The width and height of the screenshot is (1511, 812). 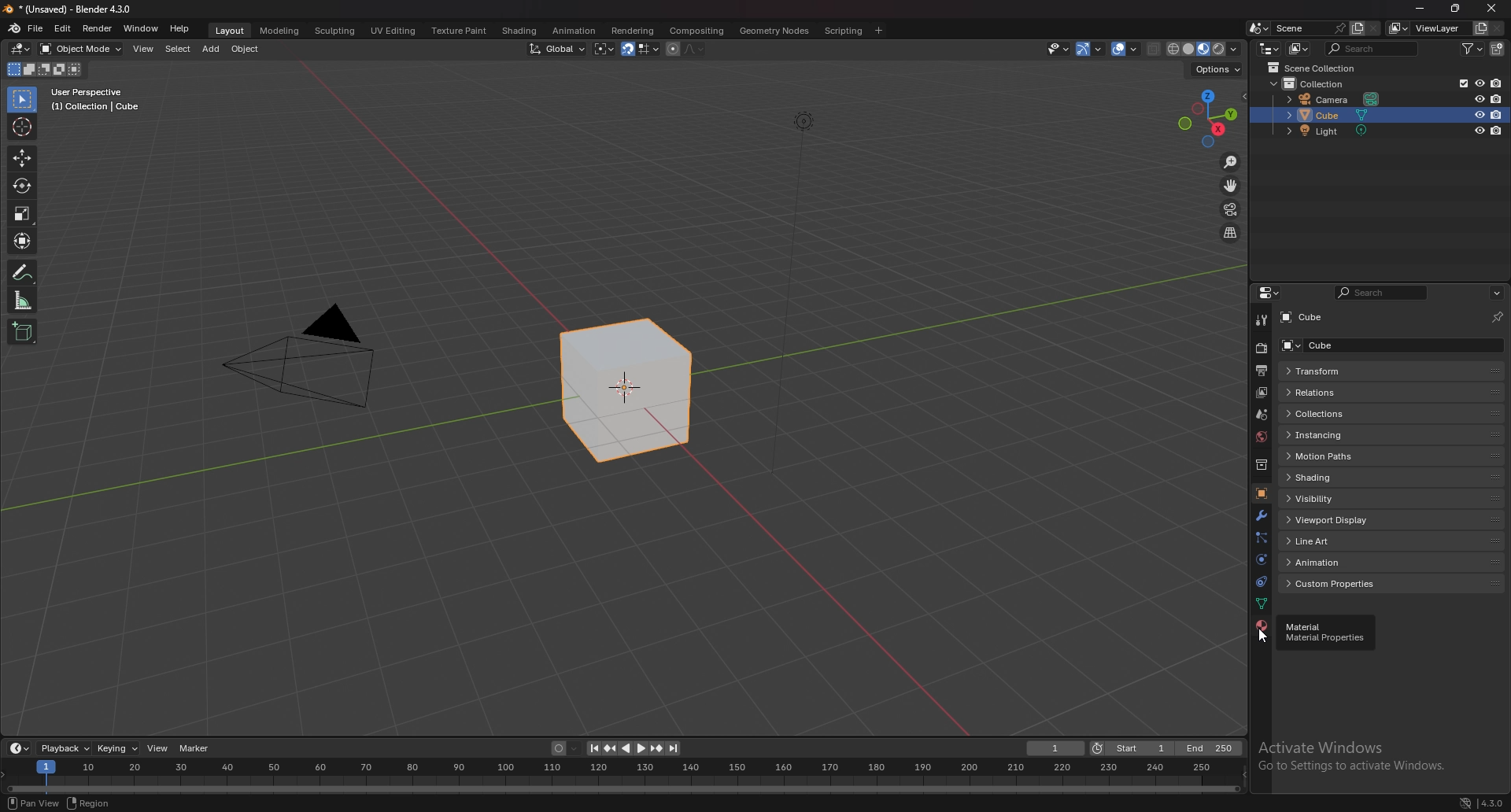 I want to click on disable in renders, so click(x=1497, y=83).